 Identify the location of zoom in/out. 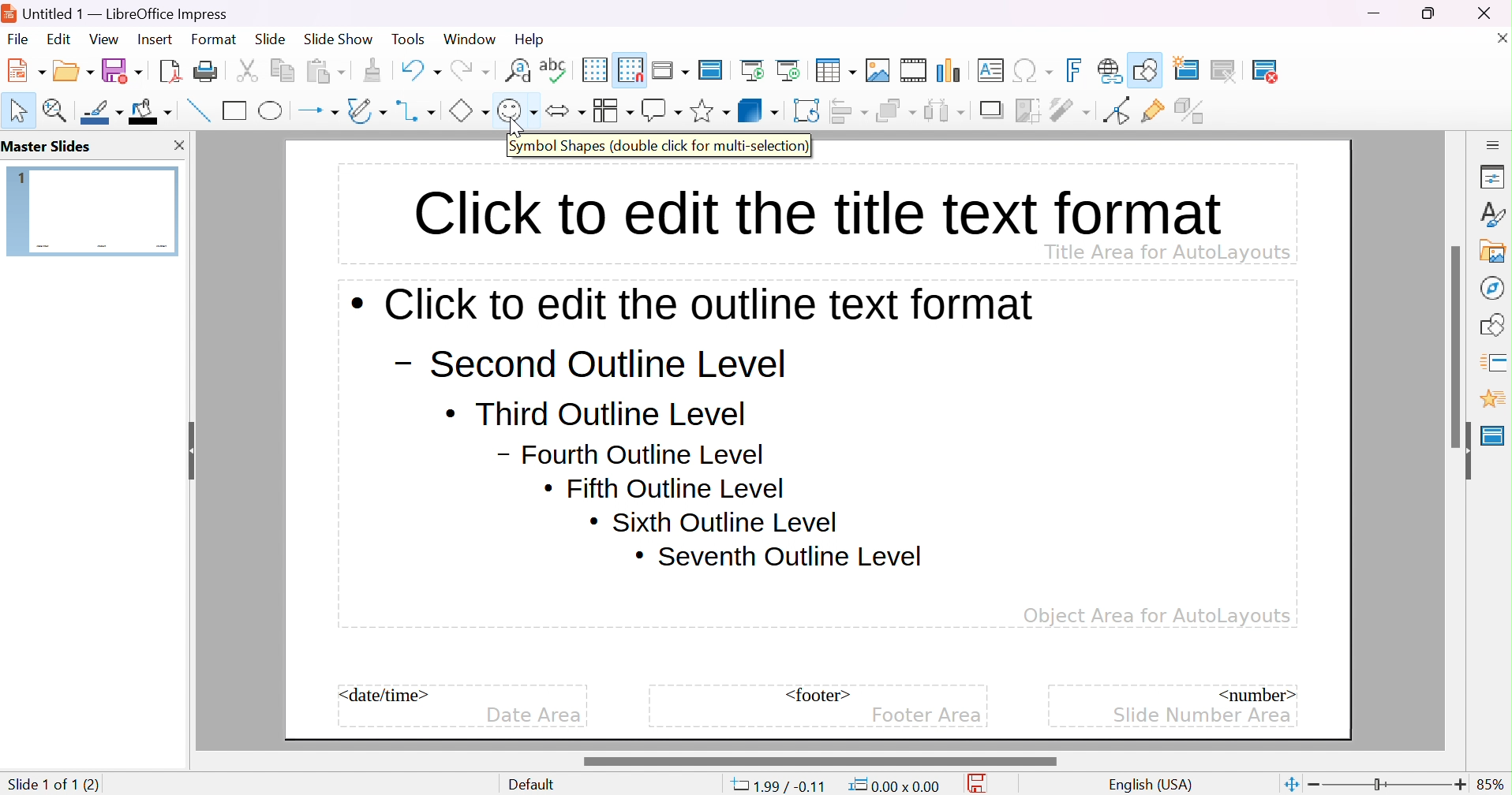
(1387, 785).